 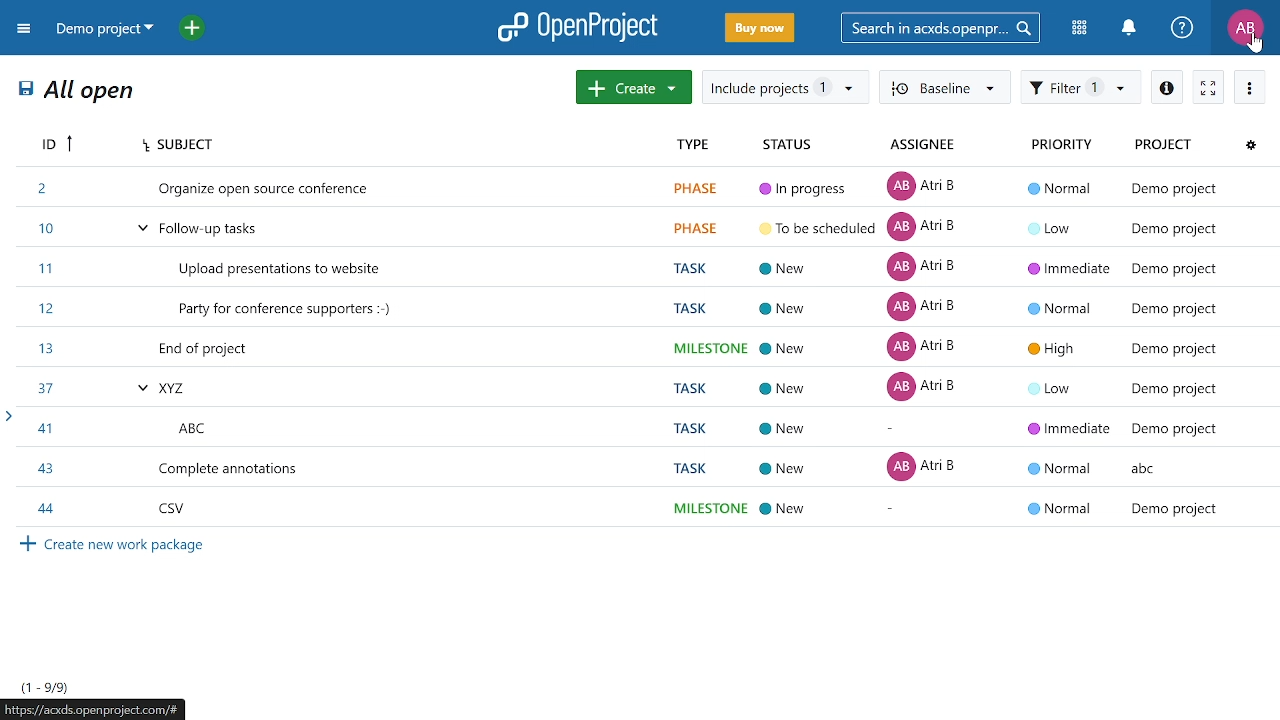 What do you see at coordinates (1247, 146) in the screenshot?
I see `configure view` at bounding box center [1247, 146].